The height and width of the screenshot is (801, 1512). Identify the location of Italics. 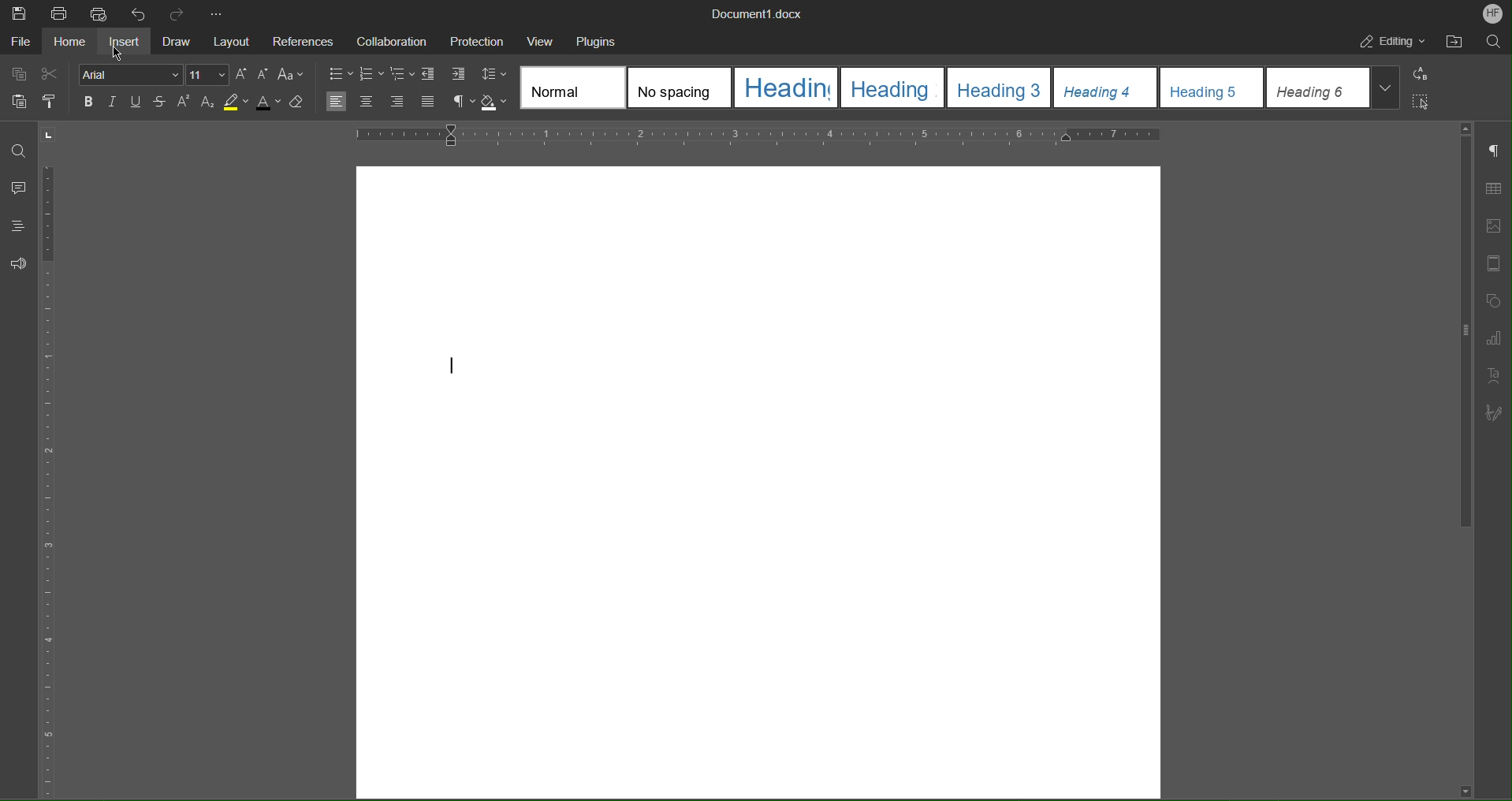
(112, 102).